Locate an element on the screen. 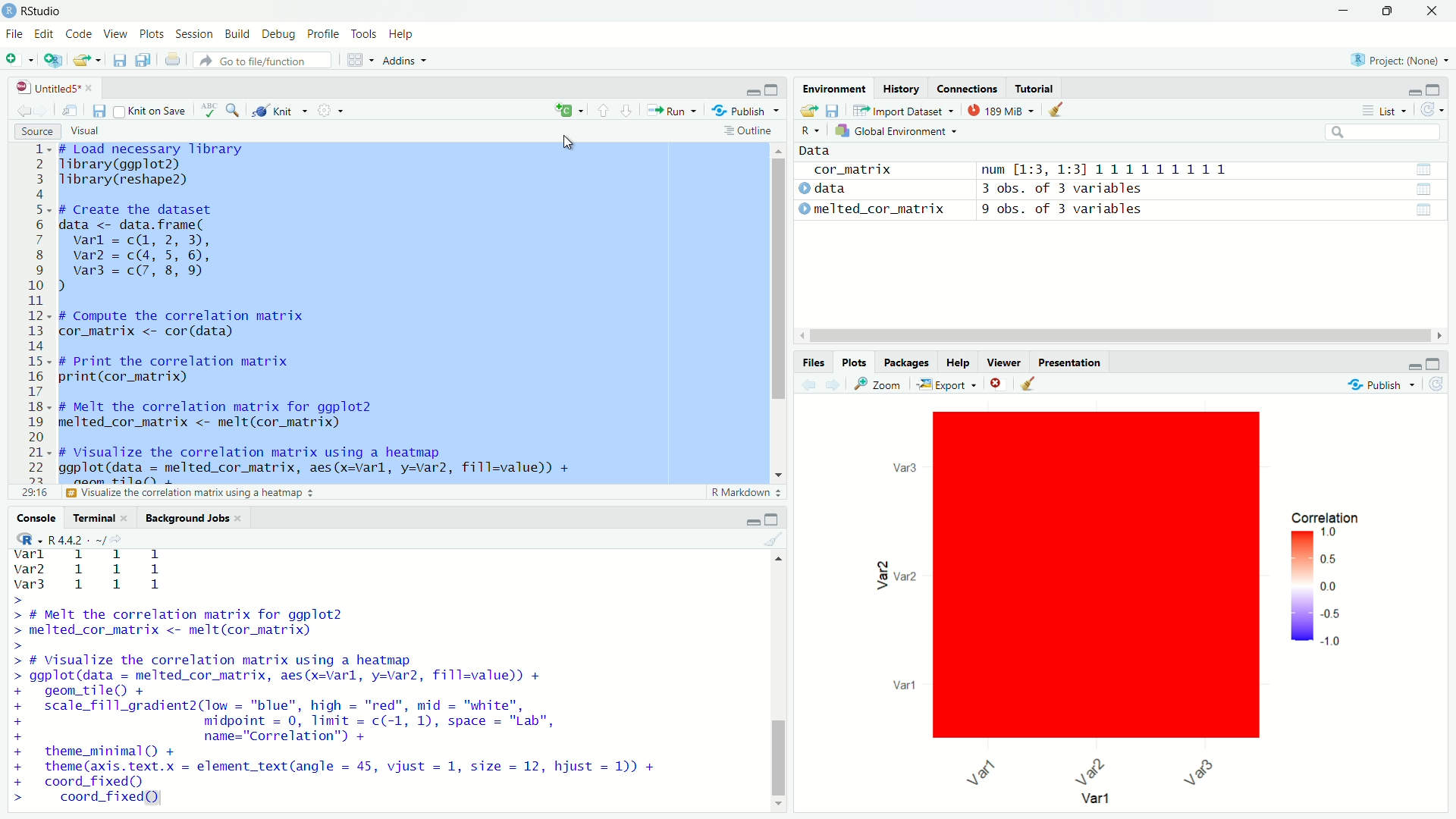 The image size is (1456, 819). minimize is located at coordinates (753, 519).